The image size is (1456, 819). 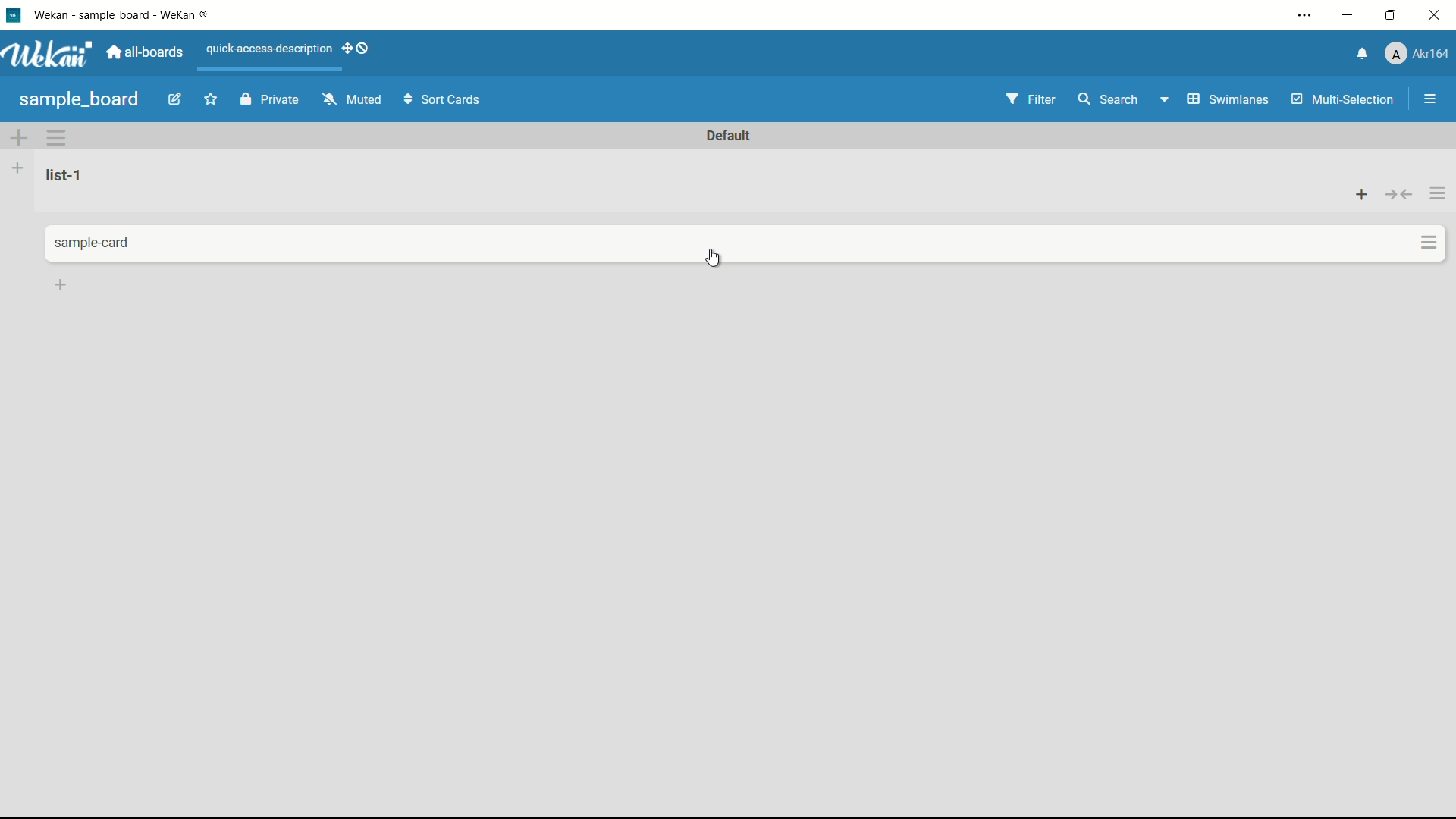 I want to click on add list, so click(x=17, y=168).